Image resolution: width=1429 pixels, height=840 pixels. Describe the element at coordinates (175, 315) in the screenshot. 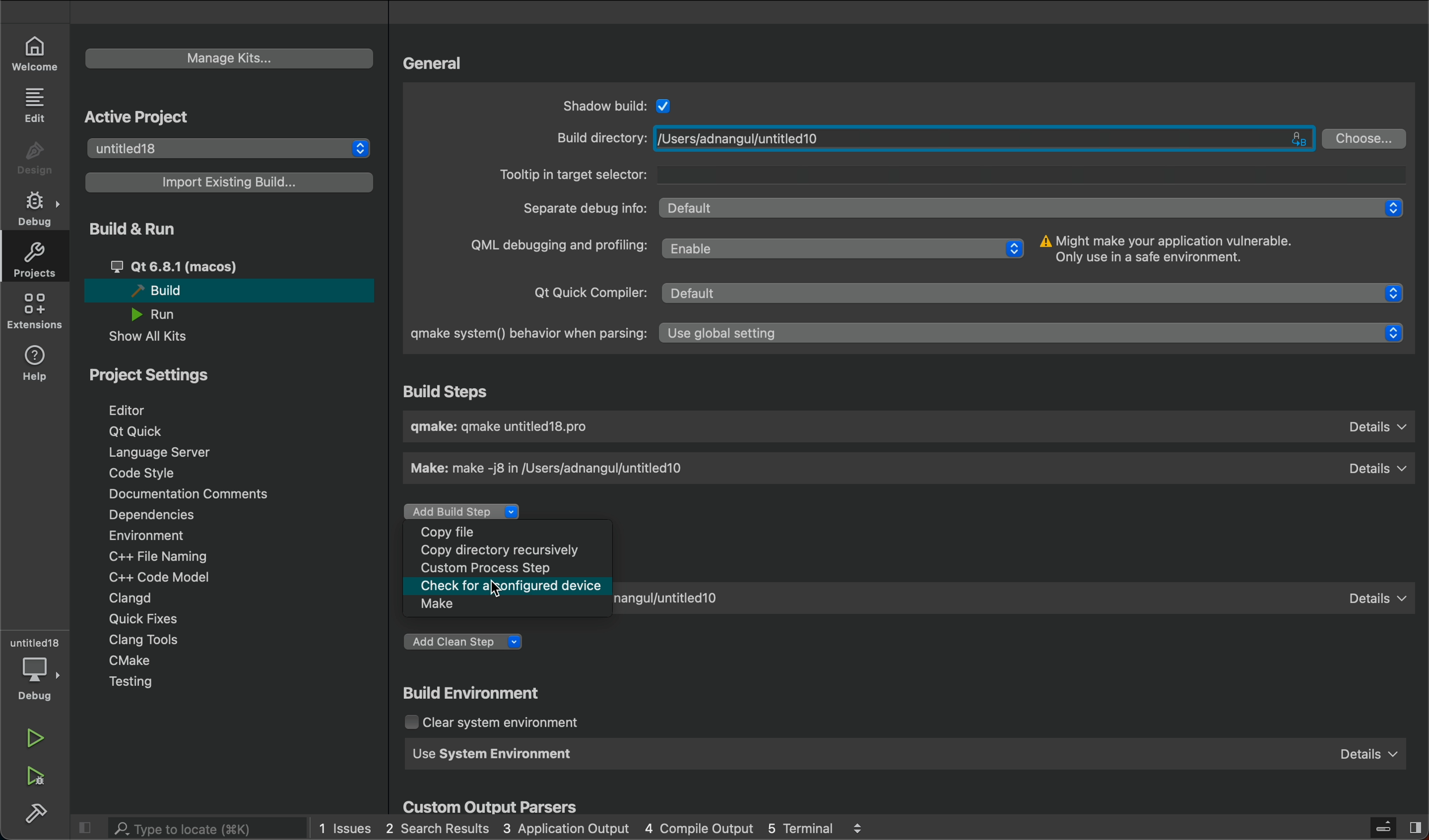

I see `run` at that location.